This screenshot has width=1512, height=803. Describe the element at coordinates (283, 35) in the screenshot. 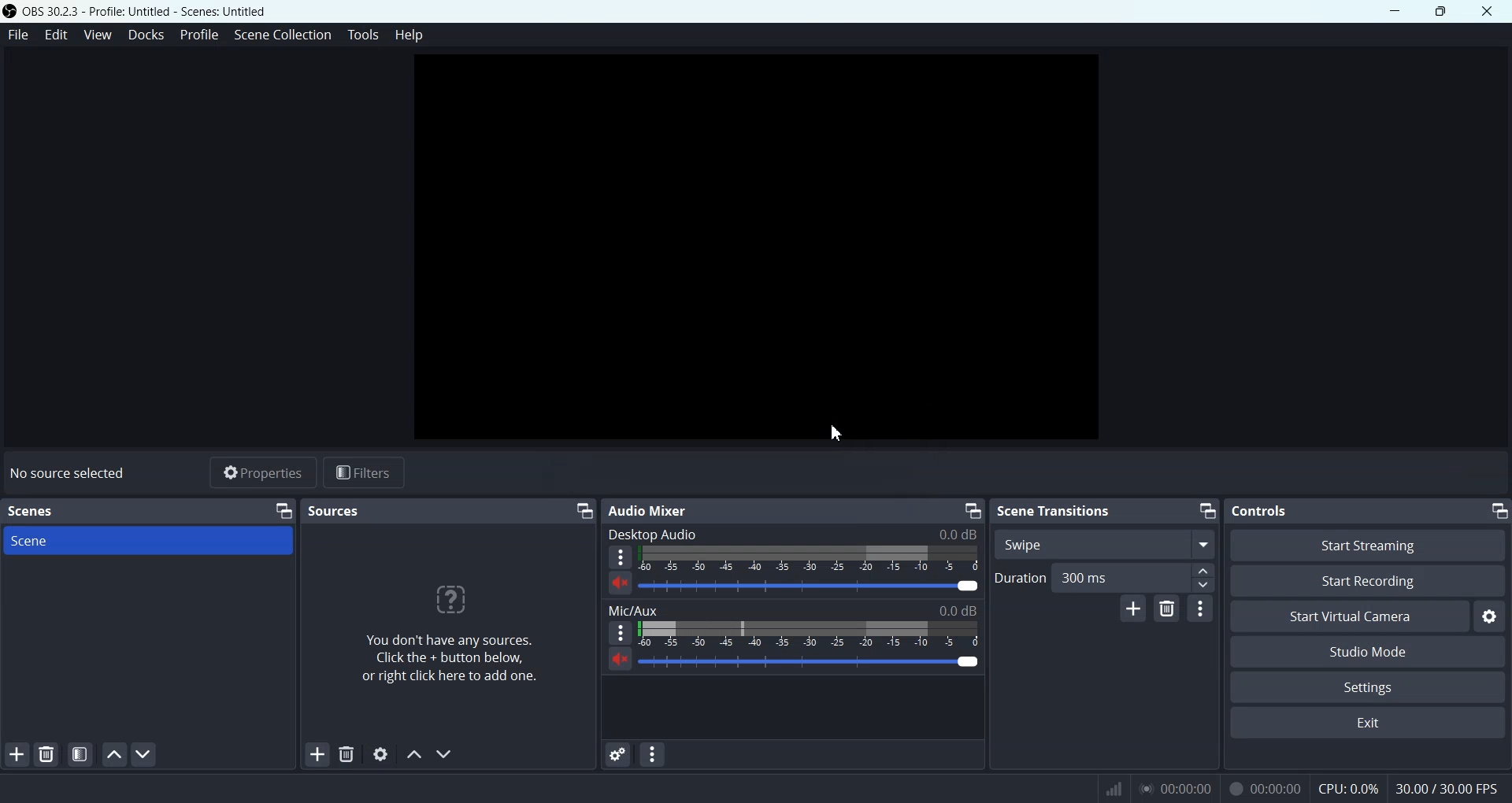

I see `Scene Collection` at that location.